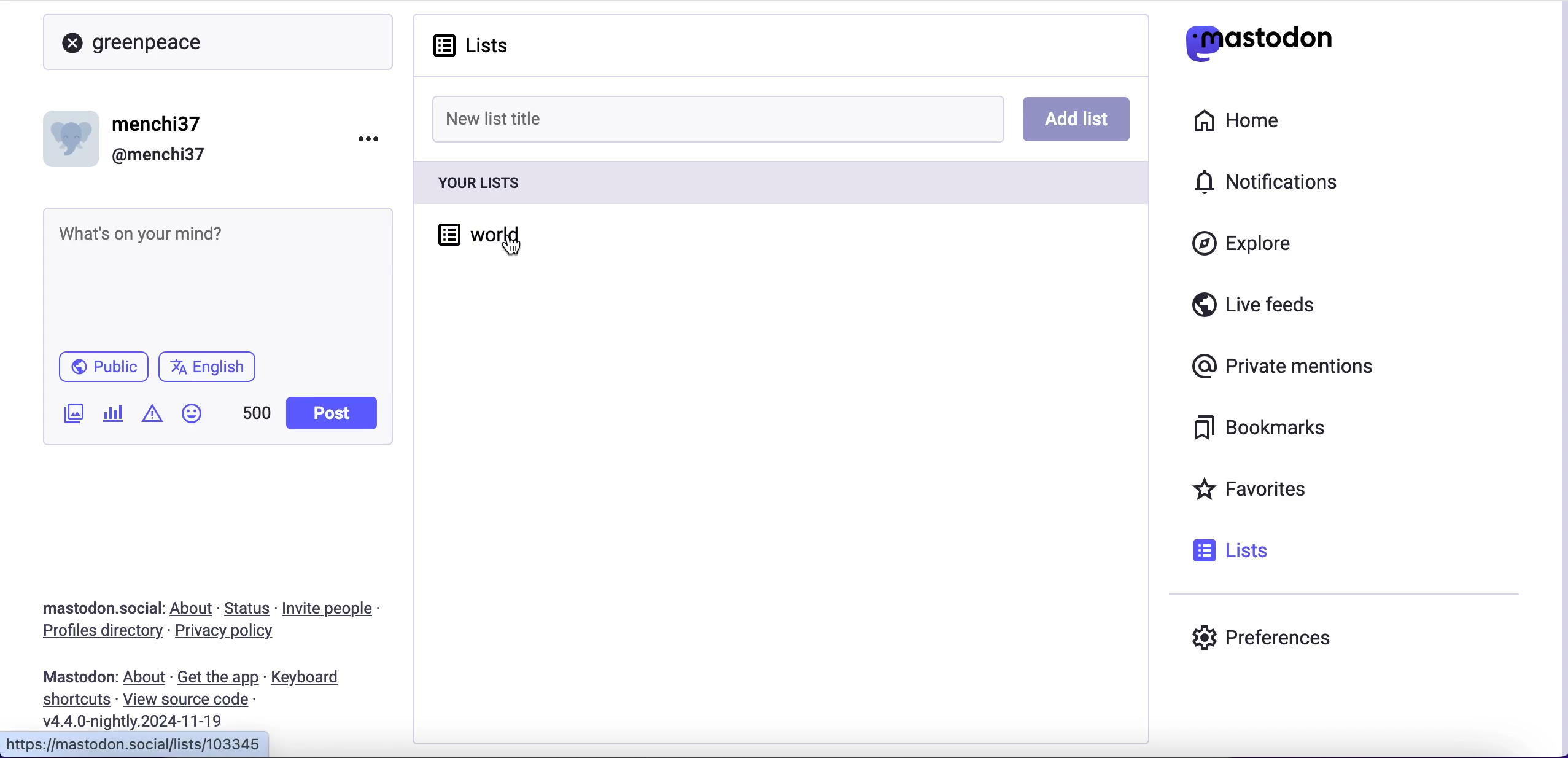 The image size is (1568, 758). Describe the element at coordinates (1234, 121) in the screenshot. I see `home` at that location.